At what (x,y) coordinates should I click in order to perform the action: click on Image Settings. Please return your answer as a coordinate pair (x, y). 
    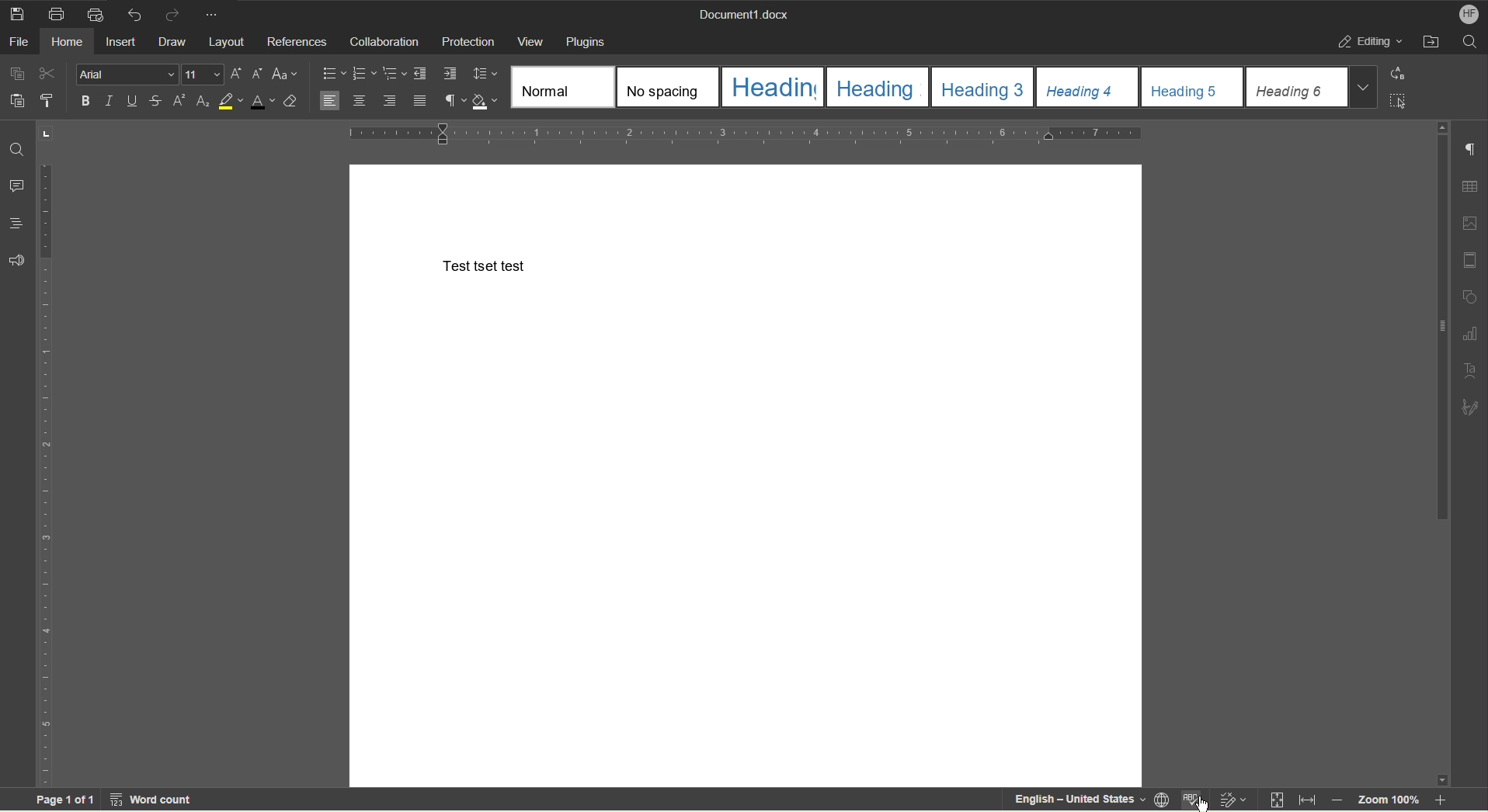
    Looking at the image, I should click on (1469, 226).